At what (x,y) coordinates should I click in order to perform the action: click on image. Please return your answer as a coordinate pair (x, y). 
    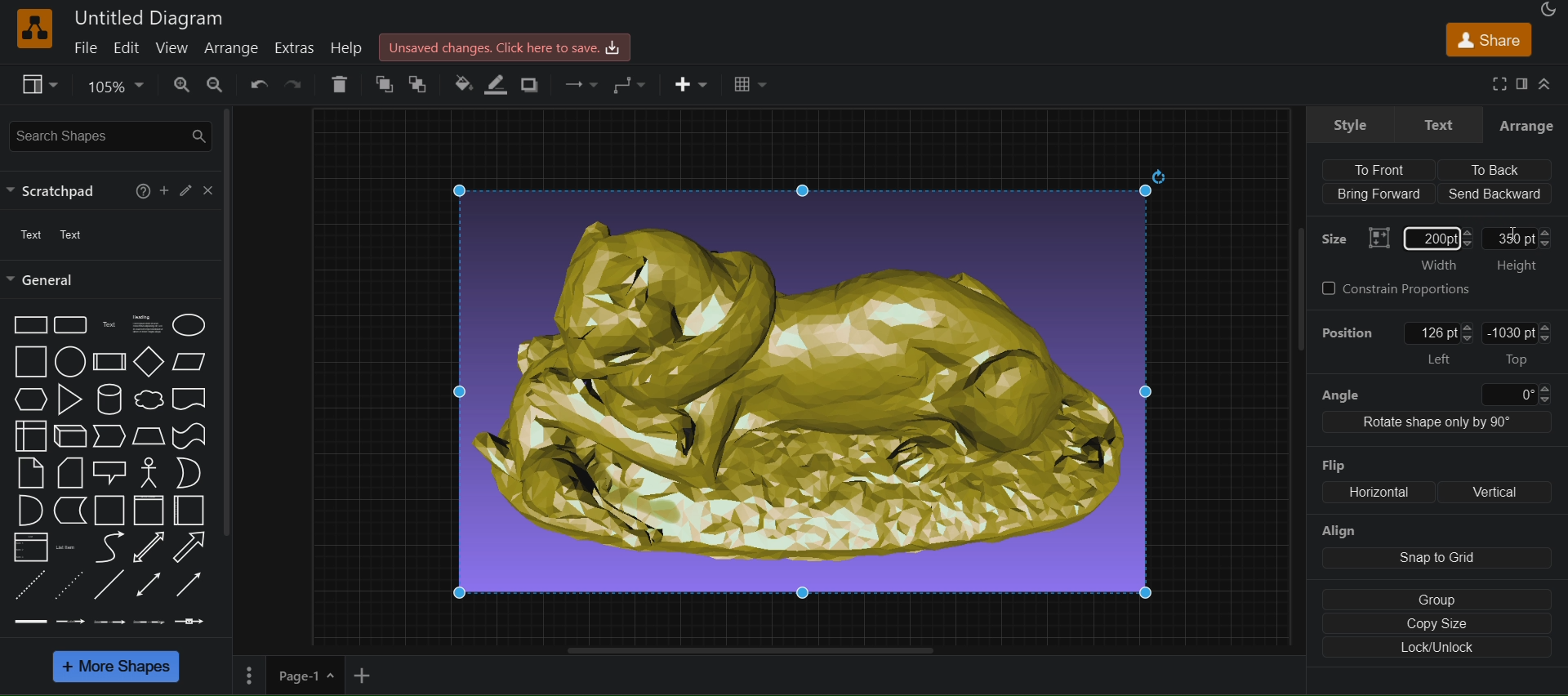
    Looking at the image, I should click on (809, 386).